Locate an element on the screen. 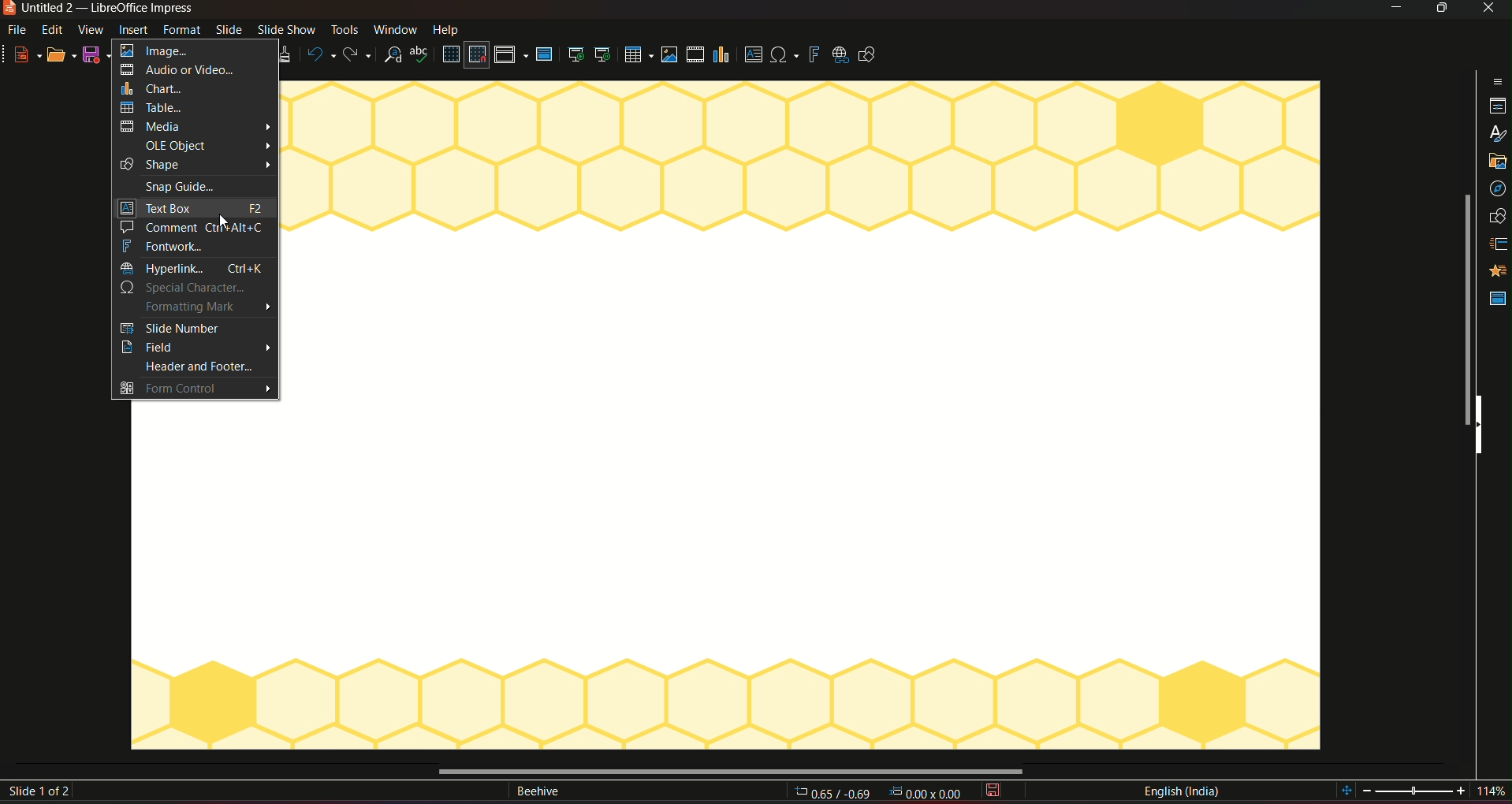 Image resolution: width=1512 pixels, height=804 pixels.  Untitled 2 — LibreOffice Impress is located at coordinates (99, 8).